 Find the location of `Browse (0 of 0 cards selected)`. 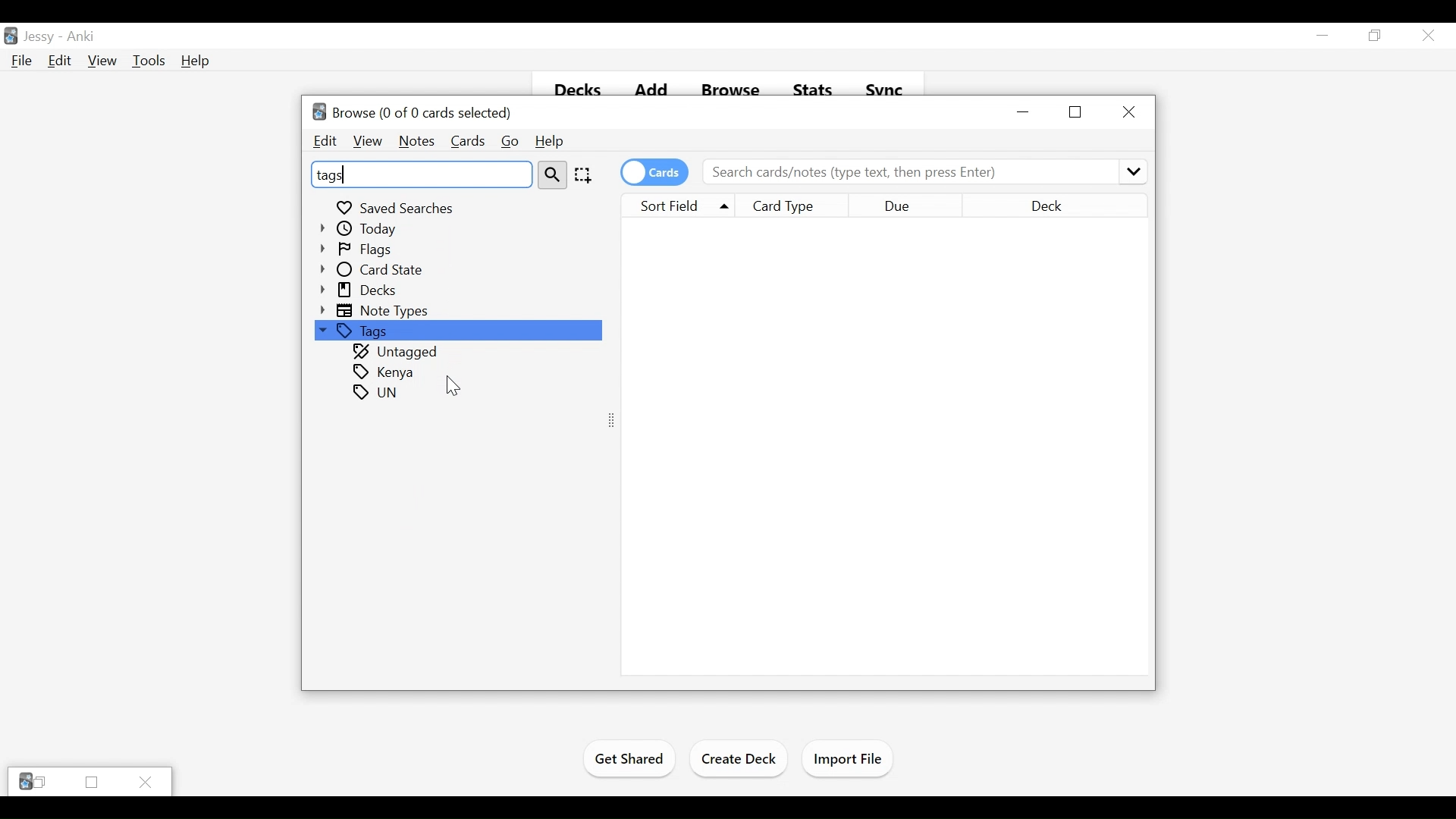

Browse (0 of 0 cards selected) is located at coordinates (413, 113).